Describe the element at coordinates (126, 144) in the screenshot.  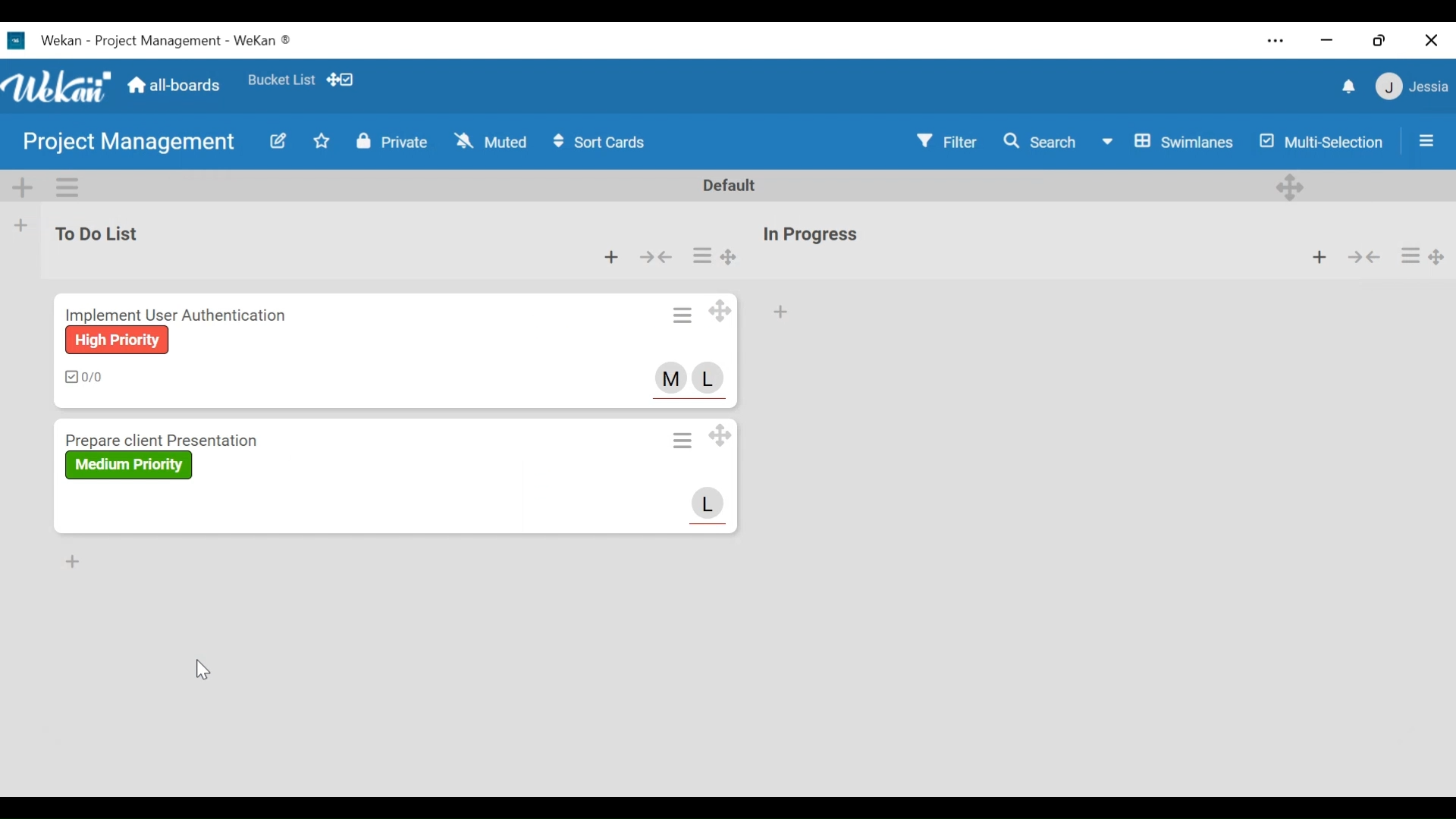
I see `Board Name` at that location.